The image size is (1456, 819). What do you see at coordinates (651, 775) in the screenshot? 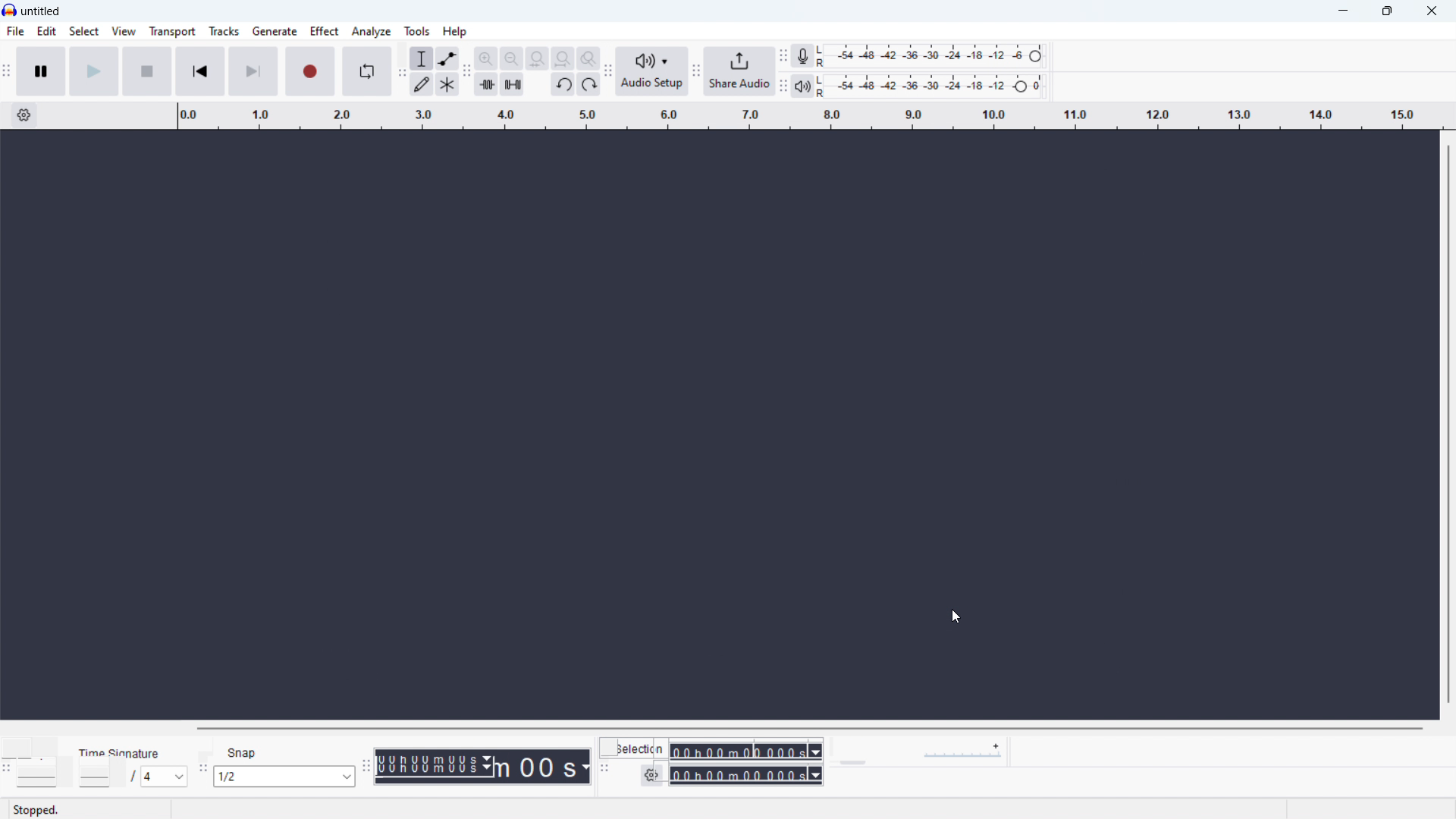
I see `selection settings` at bounding box center [651, 775].